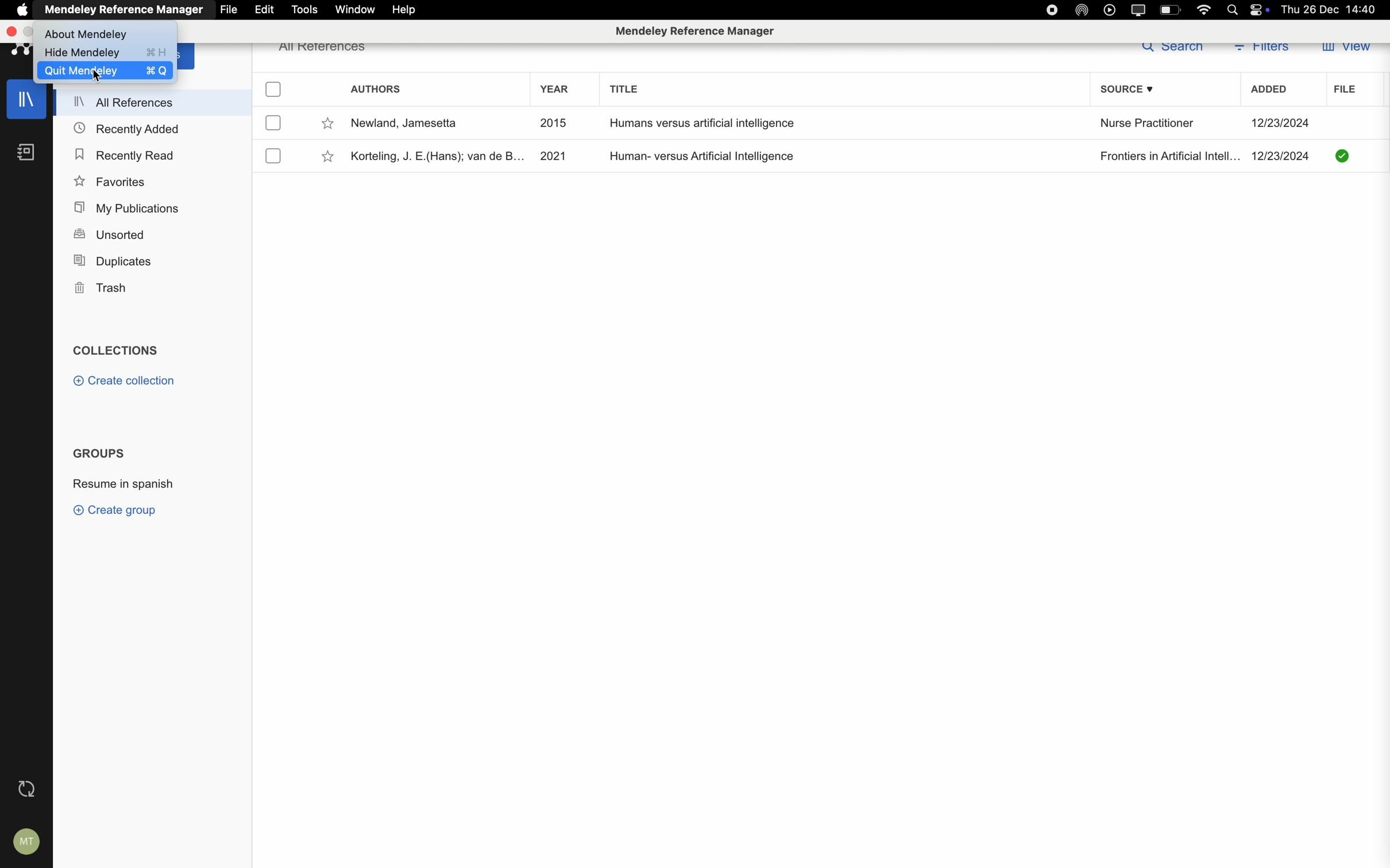 The image size is (1390, 868). What do you see at coordinates (100, 288) in the screenshot?
I see `trash` at bounding box center [100, 288].